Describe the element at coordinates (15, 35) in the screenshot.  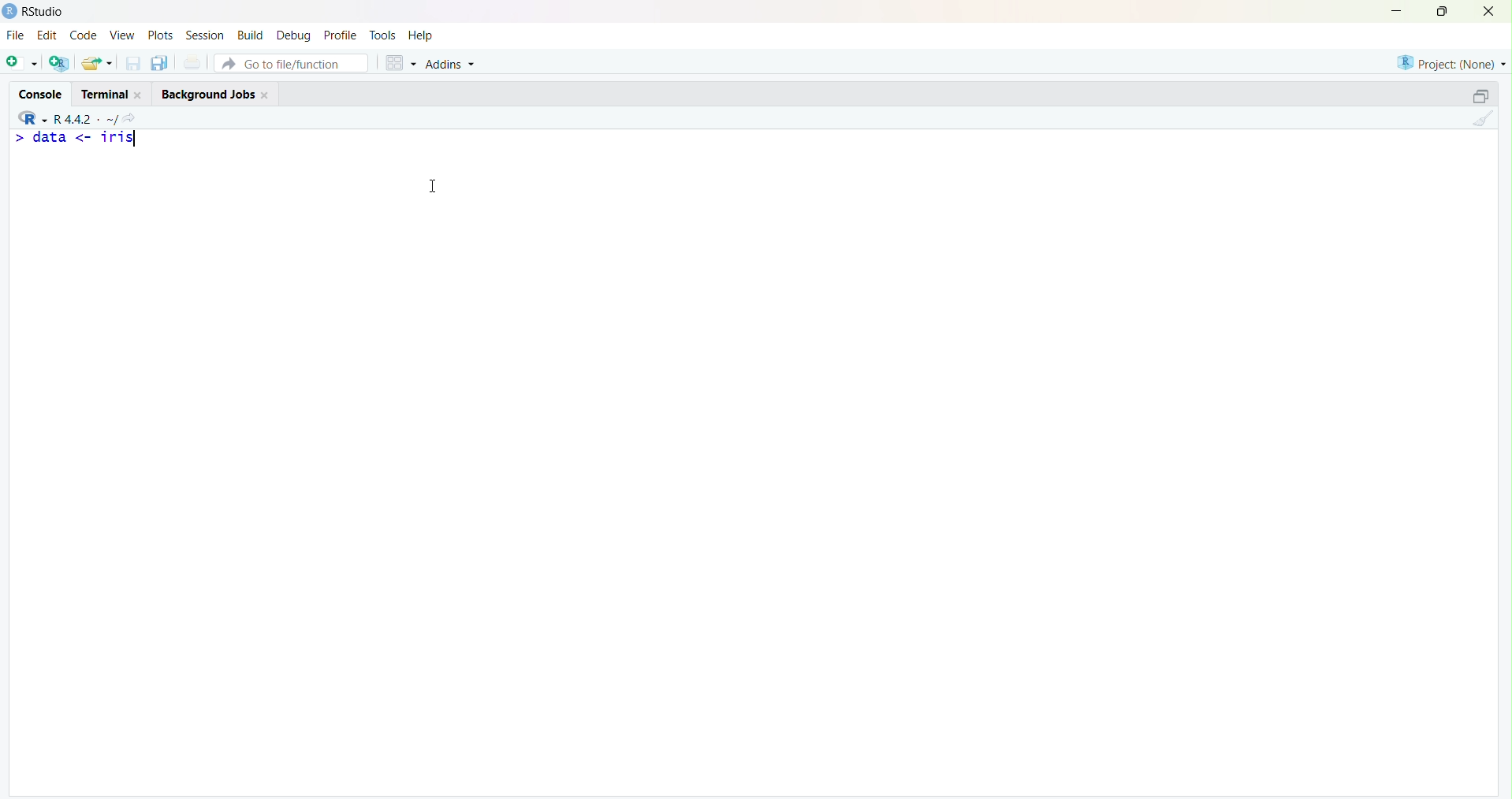
I see `File` at that location.